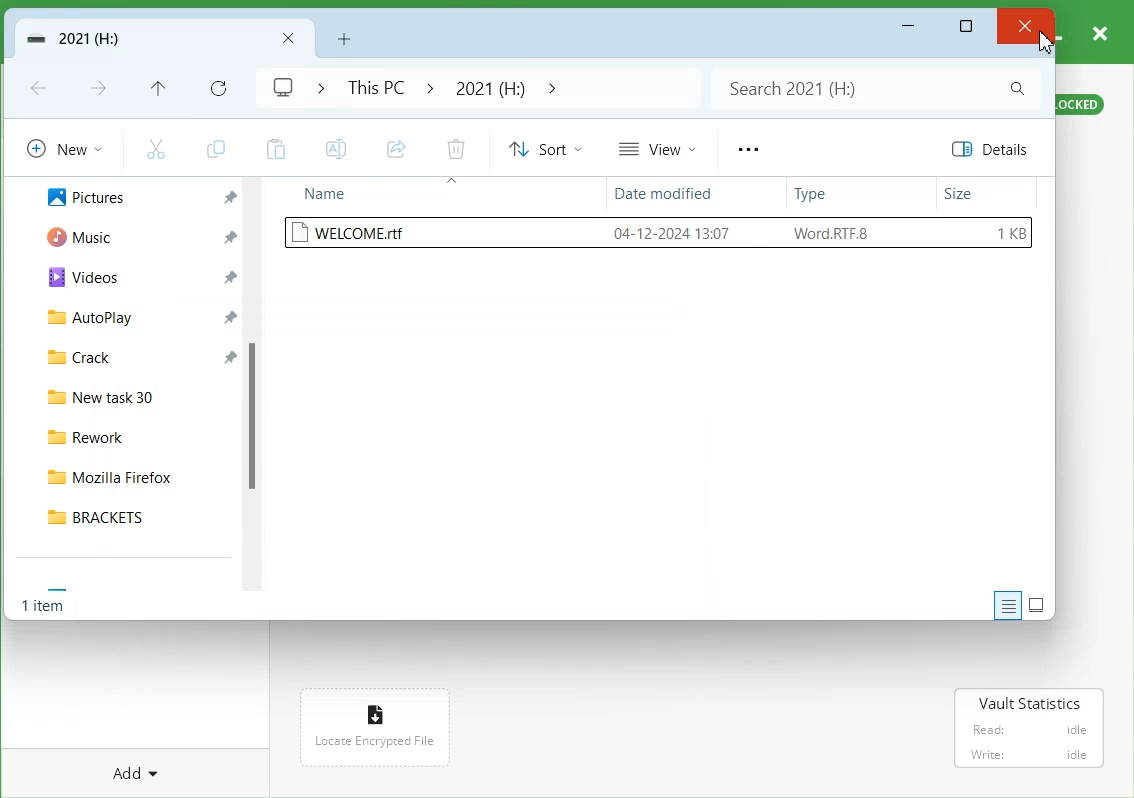  Describe the element at coordinates (228, 239) in the screenshot. I see `Pin a file` at that location.